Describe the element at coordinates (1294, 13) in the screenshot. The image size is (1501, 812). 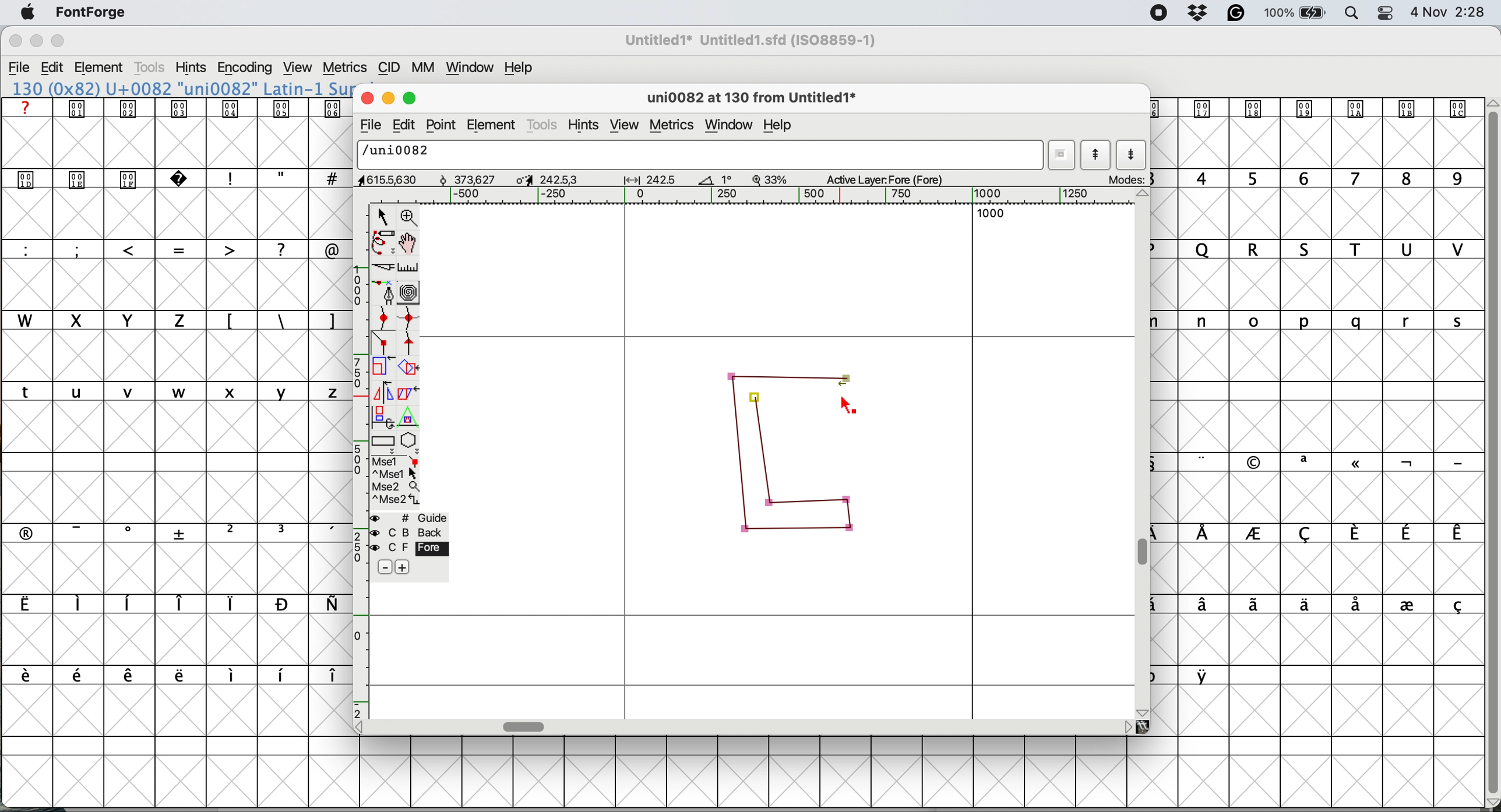
I see `battery` at that location.